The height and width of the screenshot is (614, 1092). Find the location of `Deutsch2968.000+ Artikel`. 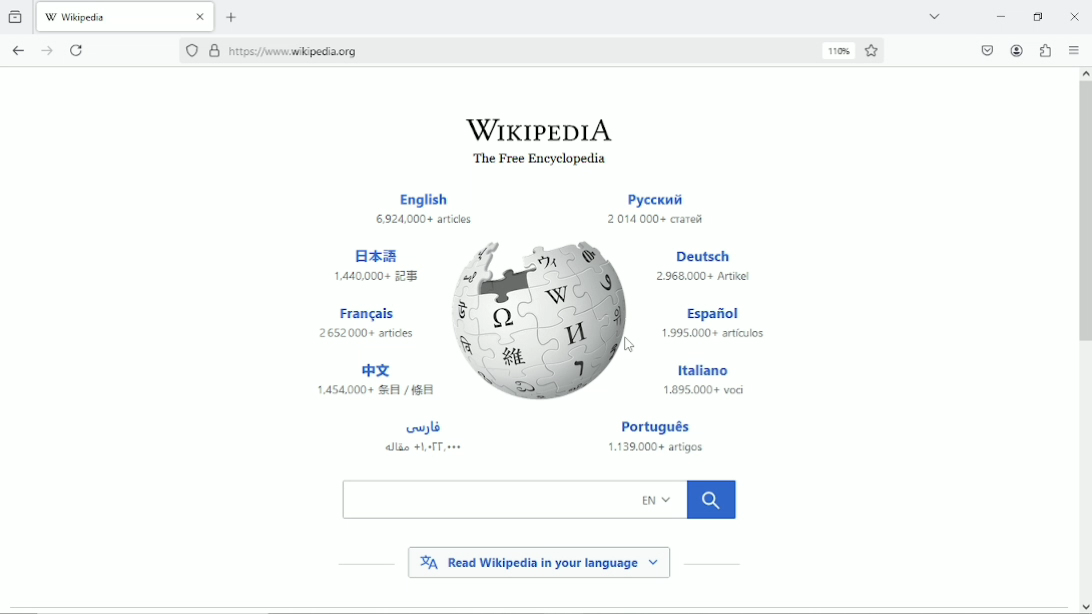

Deutsch2968.000+ Artikel is located at coordinates (703, 266).